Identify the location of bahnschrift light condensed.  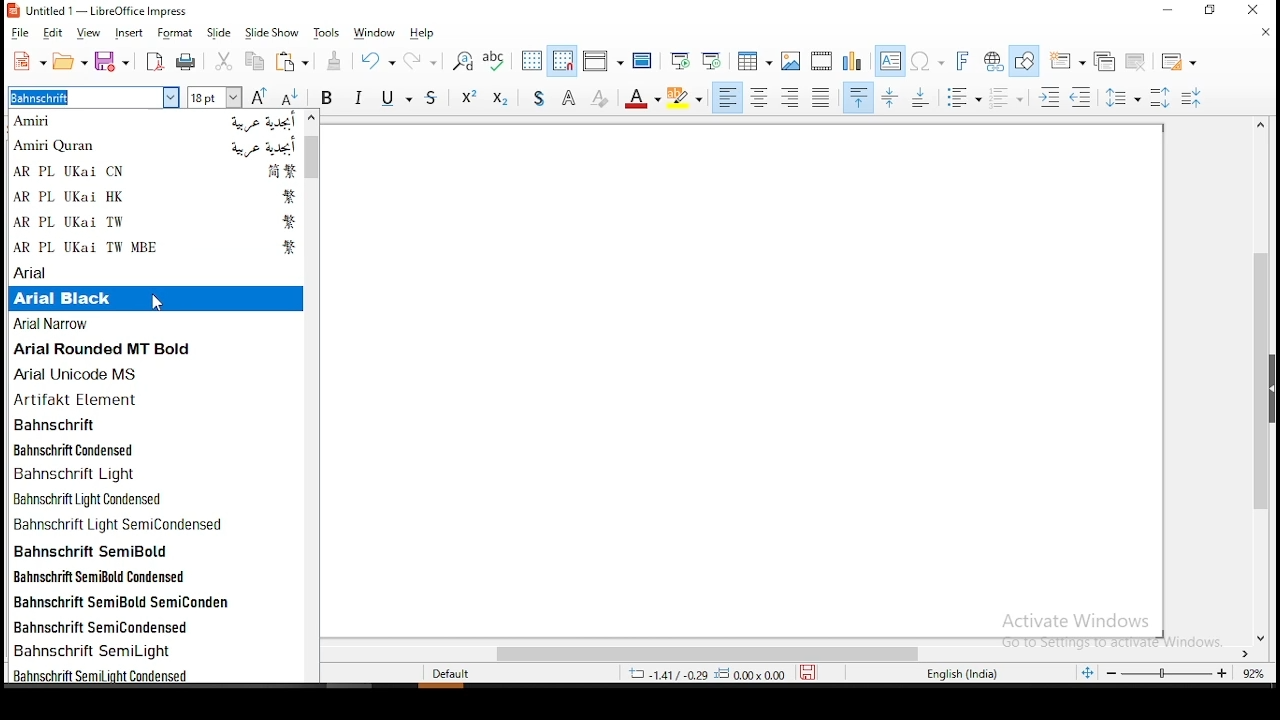
(157, 498).